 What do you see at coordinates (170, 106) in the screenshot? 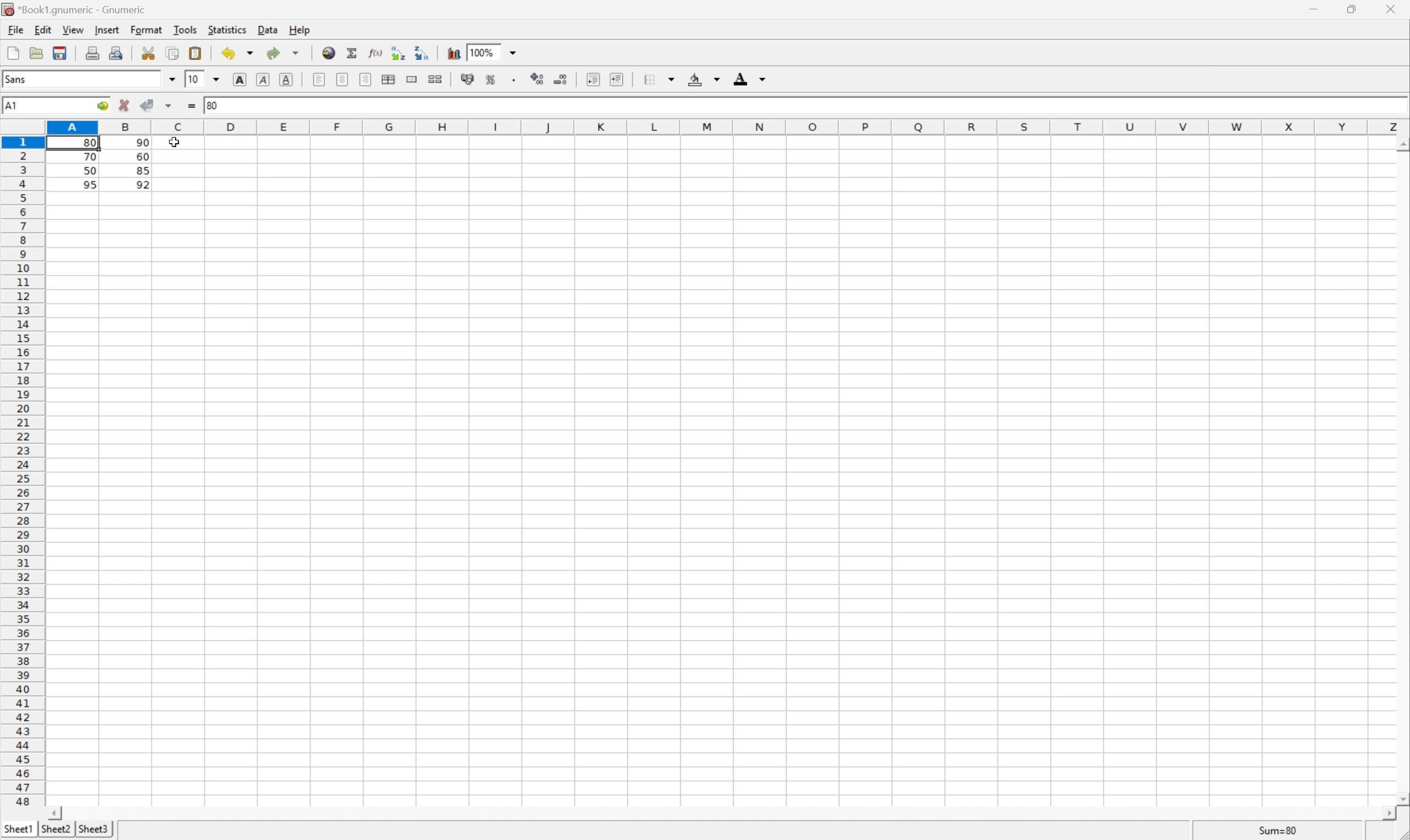
I see `Accept changes in multiple changes` at bounding box center [170, 106].